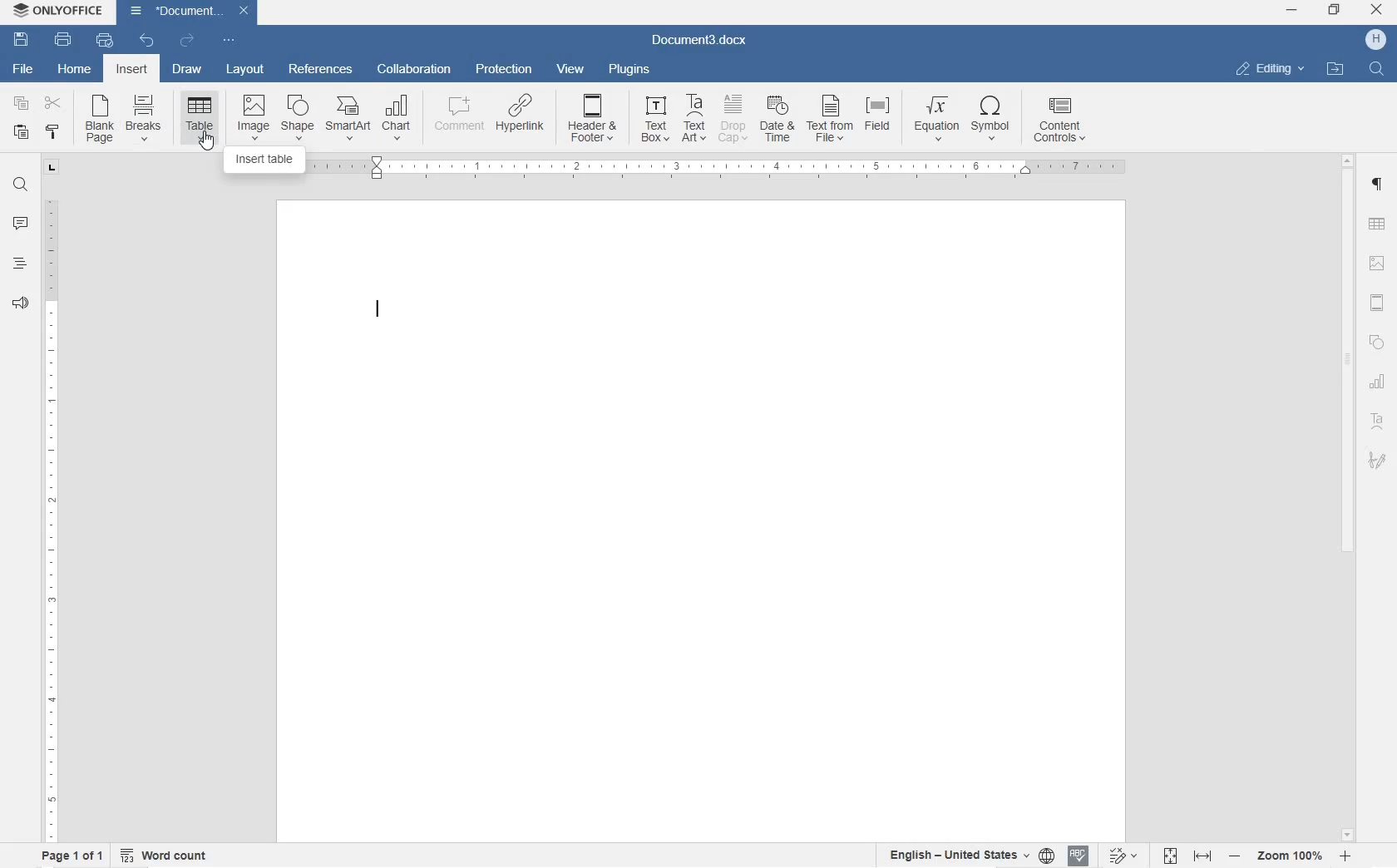 The height and width of the screenshot is (868, 1397). Describe the element at coordinates (1380, 186) in the screenshot. I see `PARAGRAPH SETTINGS` at that location.